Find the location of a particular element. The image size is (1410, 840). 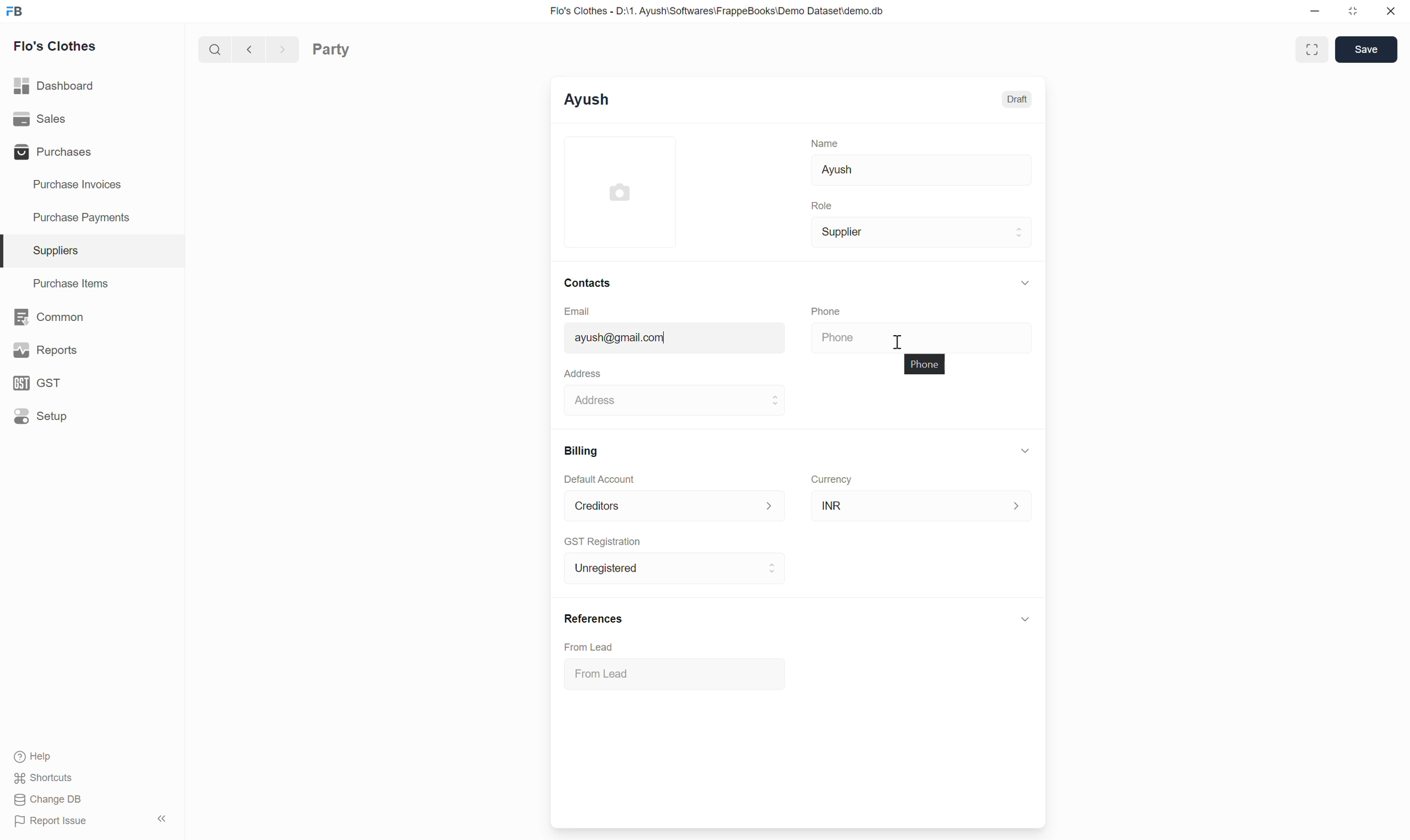

Phone is located at coordinates (826, 311).